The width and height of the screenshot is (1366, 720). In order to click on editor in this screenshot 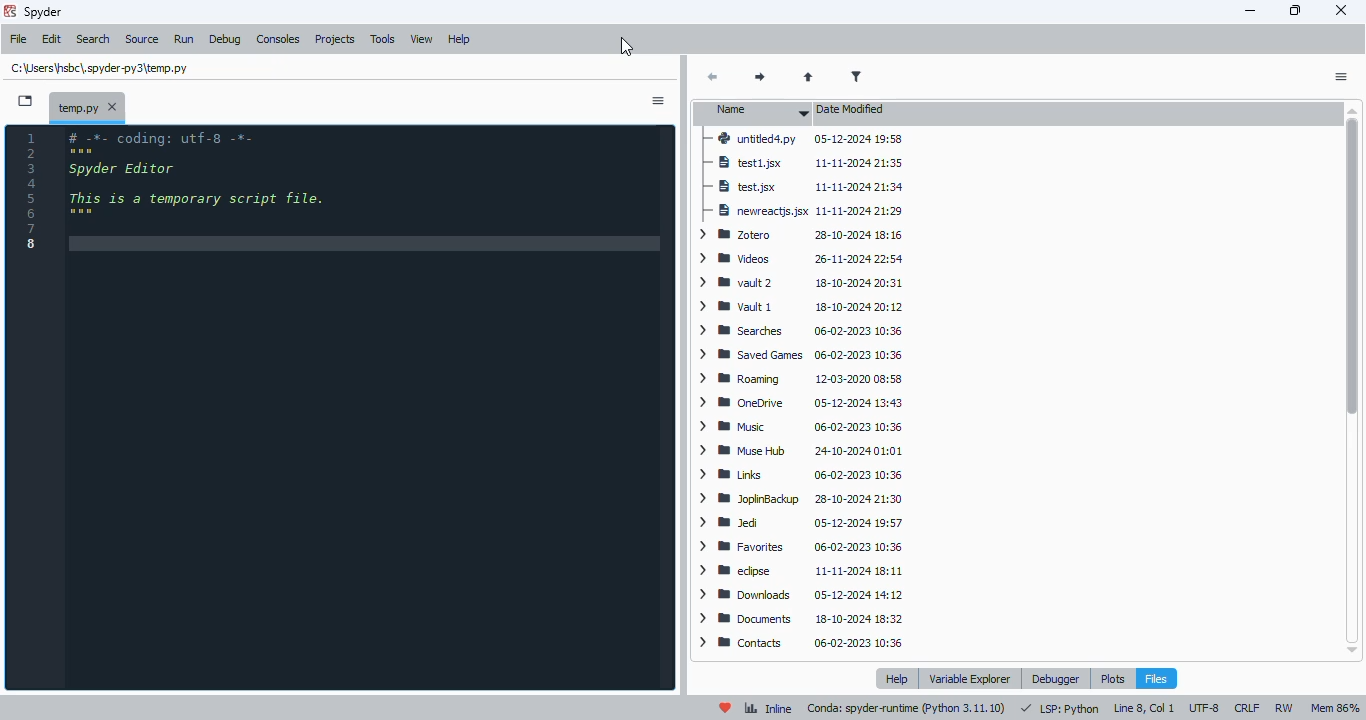, I will do `click(296, 408)`.